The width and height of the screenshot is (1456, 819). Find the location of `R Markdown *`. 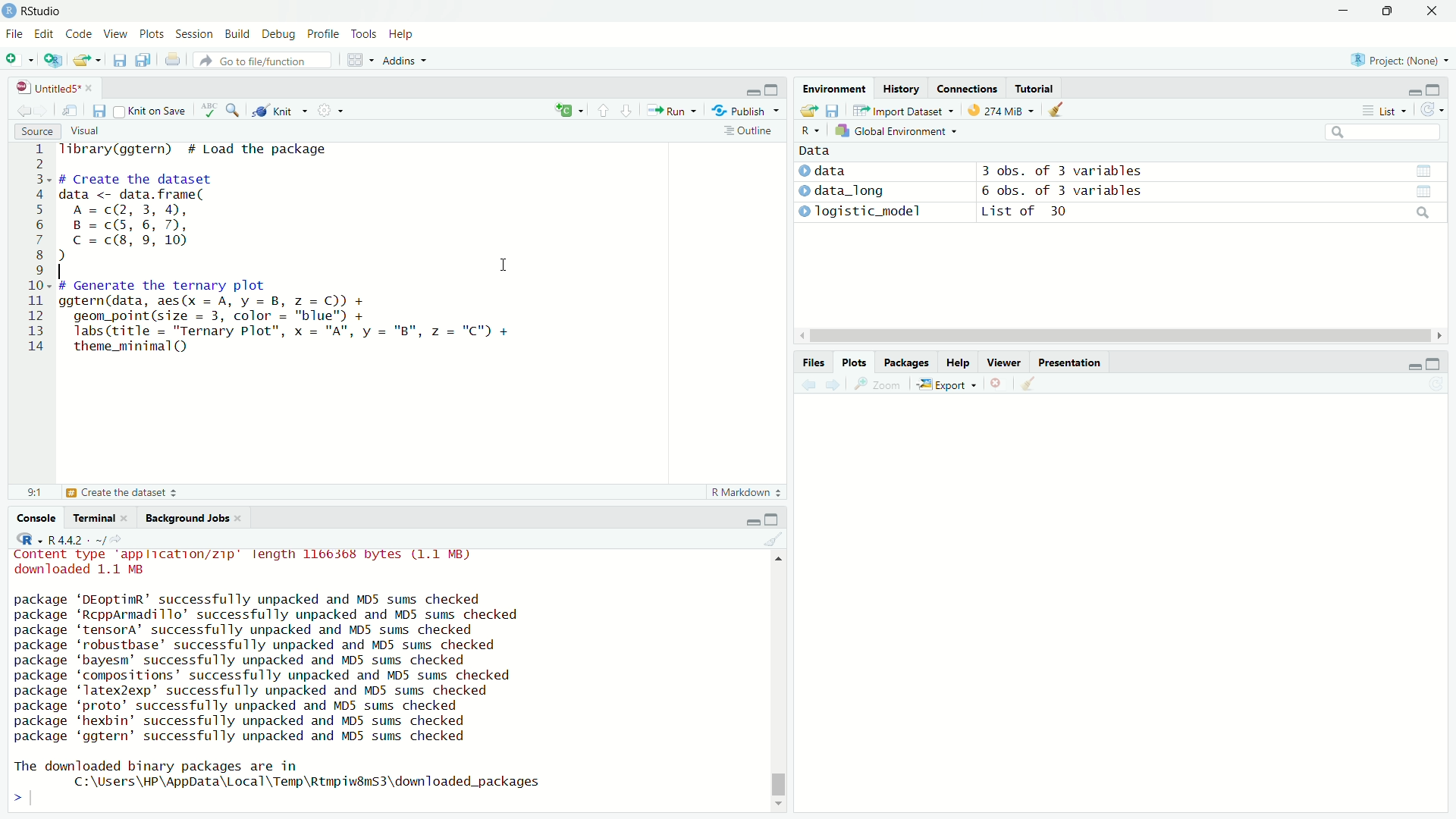

R Markdown * is located at coordinates (748, 490).